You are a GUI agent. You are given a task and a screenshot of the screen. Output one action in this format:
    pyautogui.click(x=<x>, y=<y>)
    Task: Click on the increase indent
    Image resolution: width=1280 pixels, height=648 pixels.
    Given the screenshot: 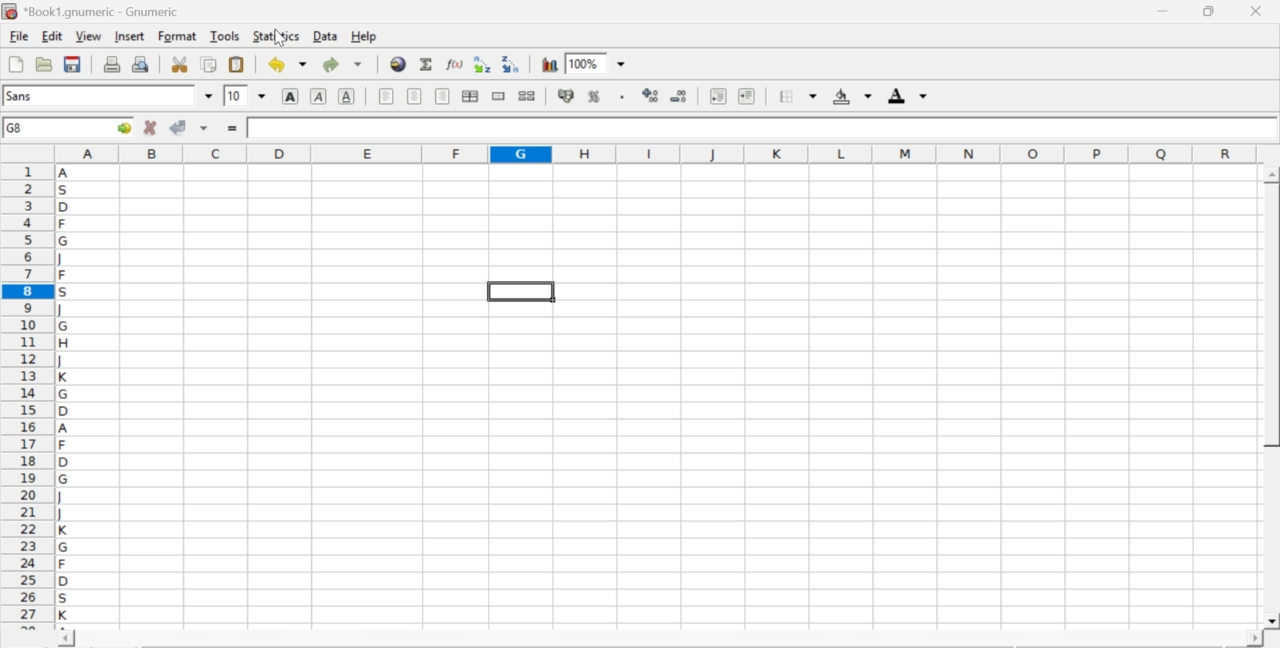 What is the action you would take?
    pyautogui.click(x=746, y=97)
    